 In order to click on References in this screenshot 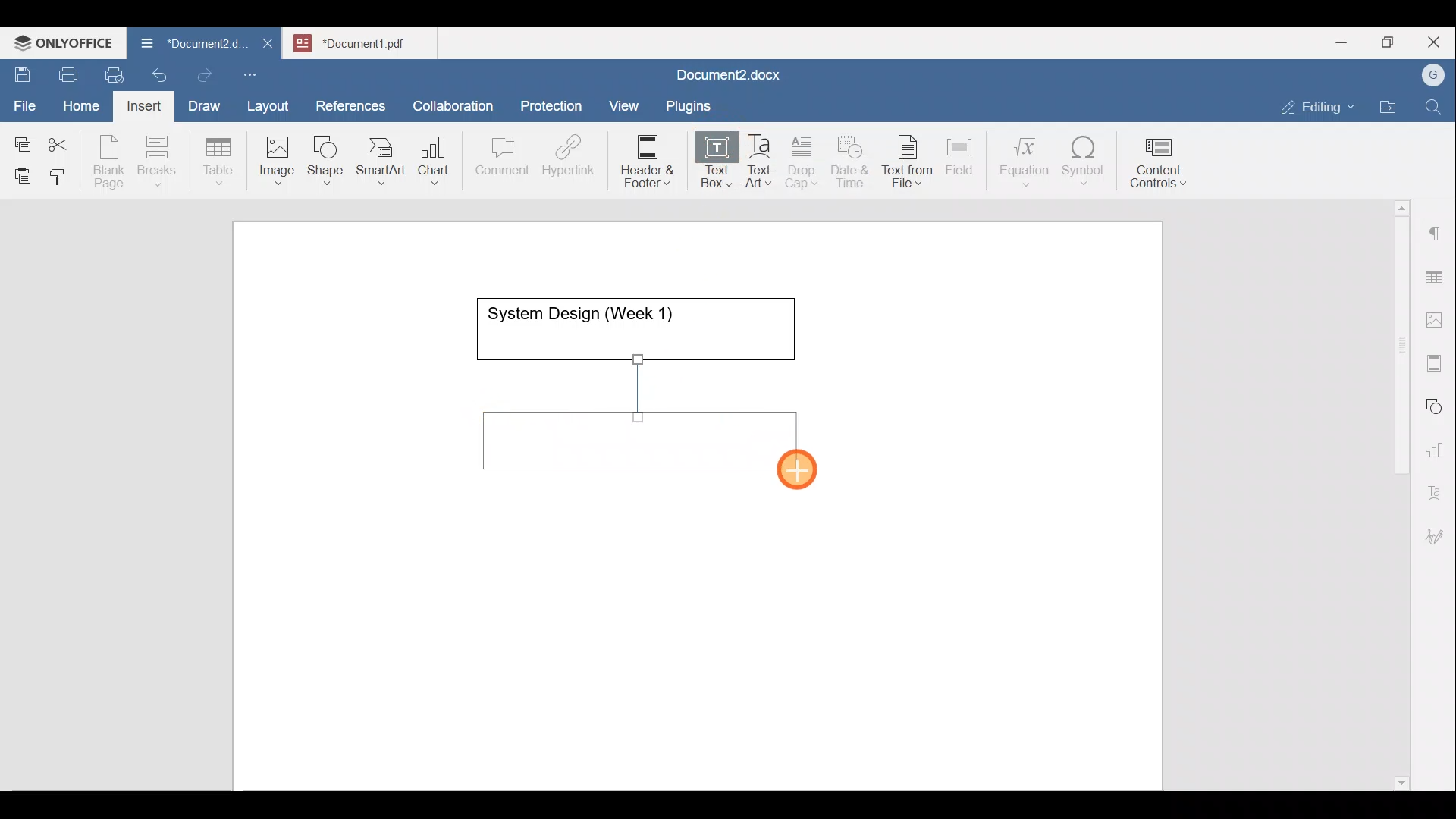, I will do `click(350, 104)`.